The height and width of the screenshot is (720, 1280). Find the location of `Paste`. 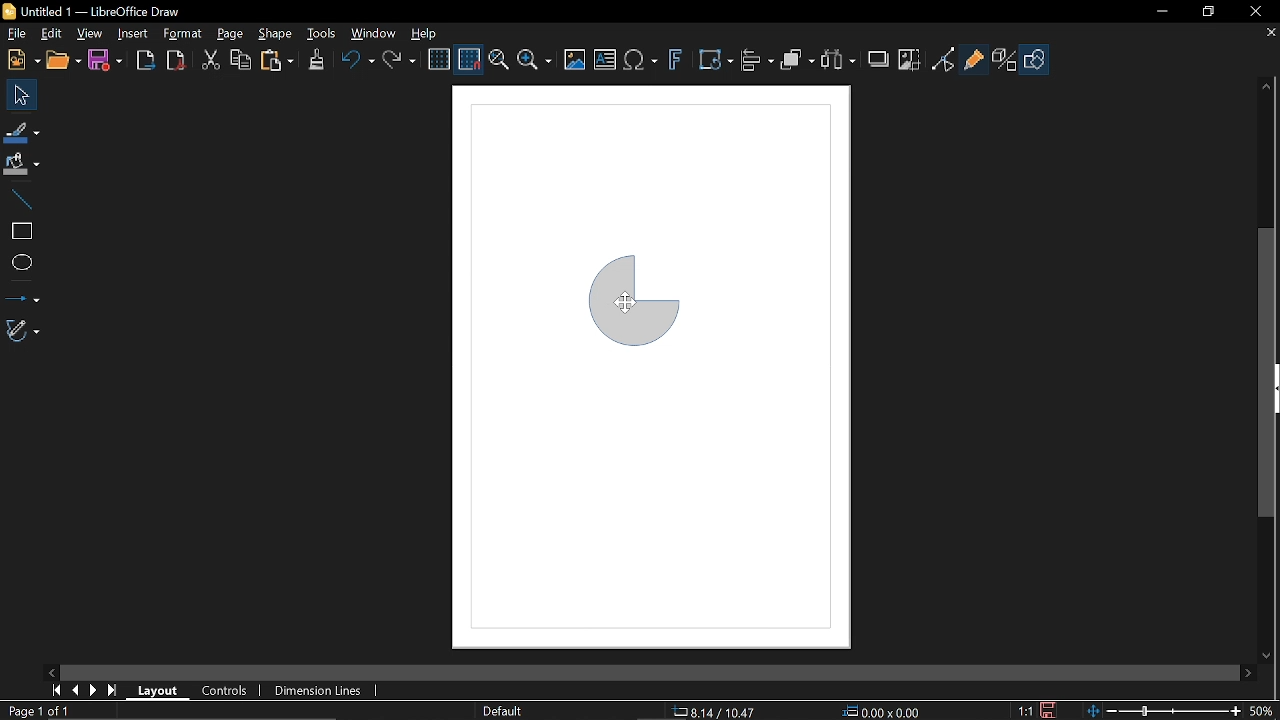

Paste is located at coordinates (277, 62).